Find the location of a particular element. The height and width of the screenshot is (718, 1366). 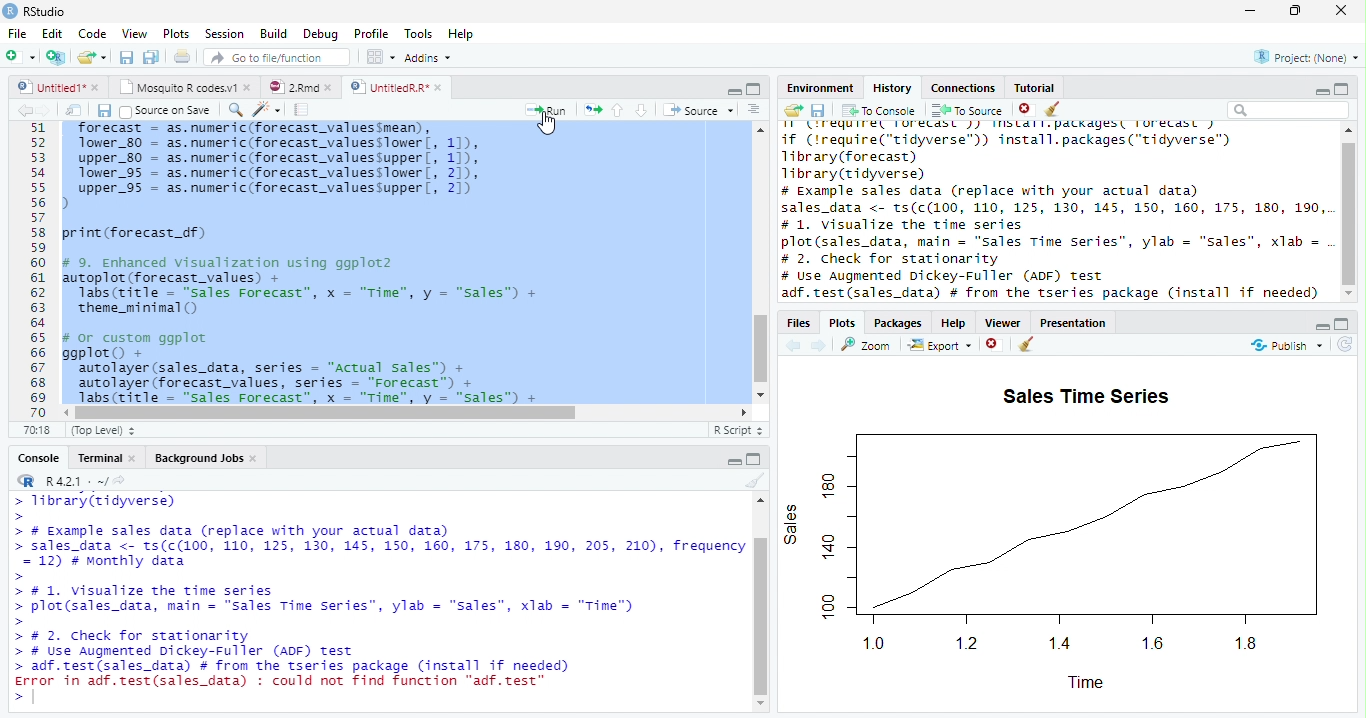

Publish is located at coordinates (1287, 346).